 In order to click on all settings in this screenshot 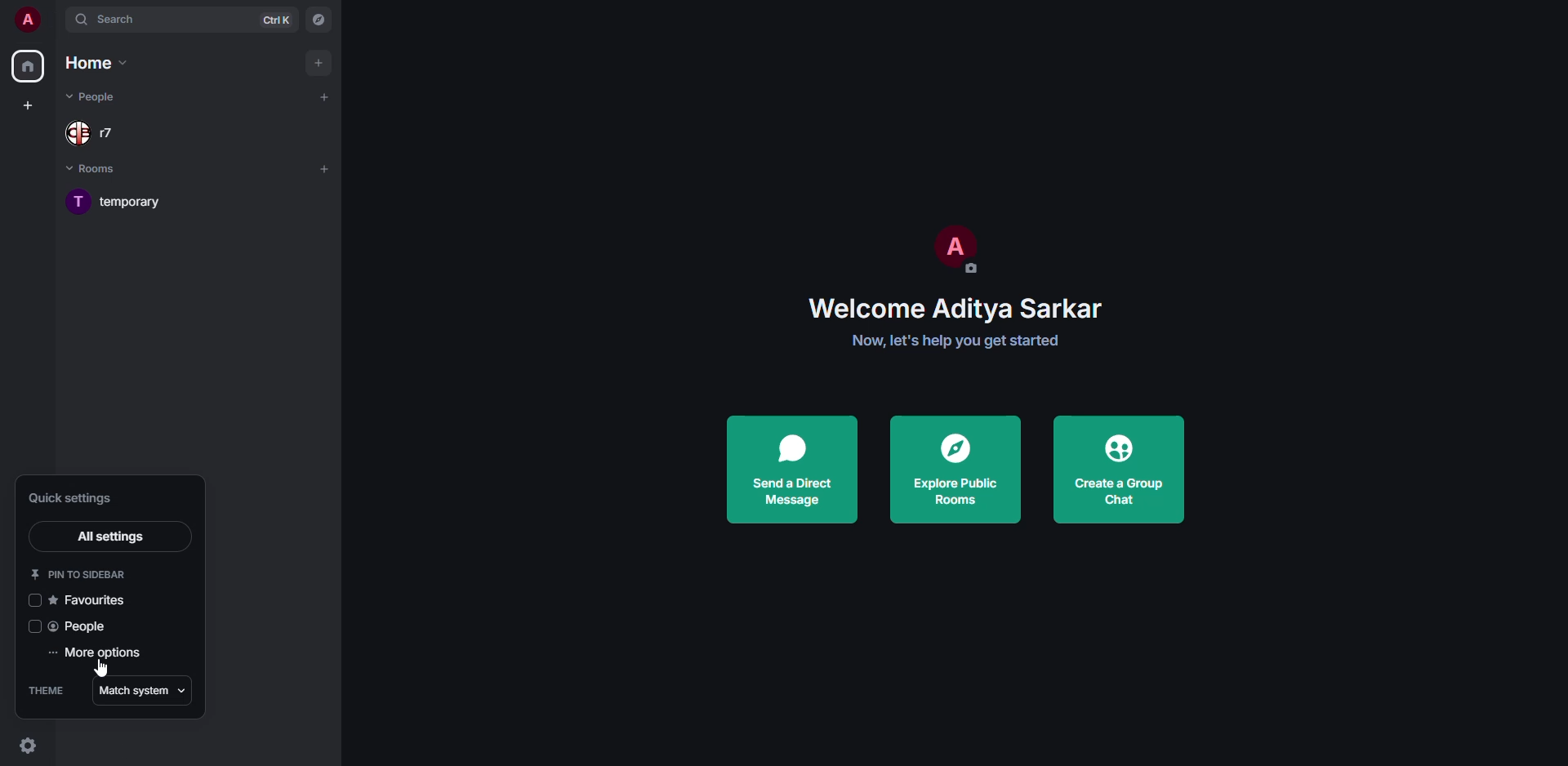, I will do `click(111, 535)`.